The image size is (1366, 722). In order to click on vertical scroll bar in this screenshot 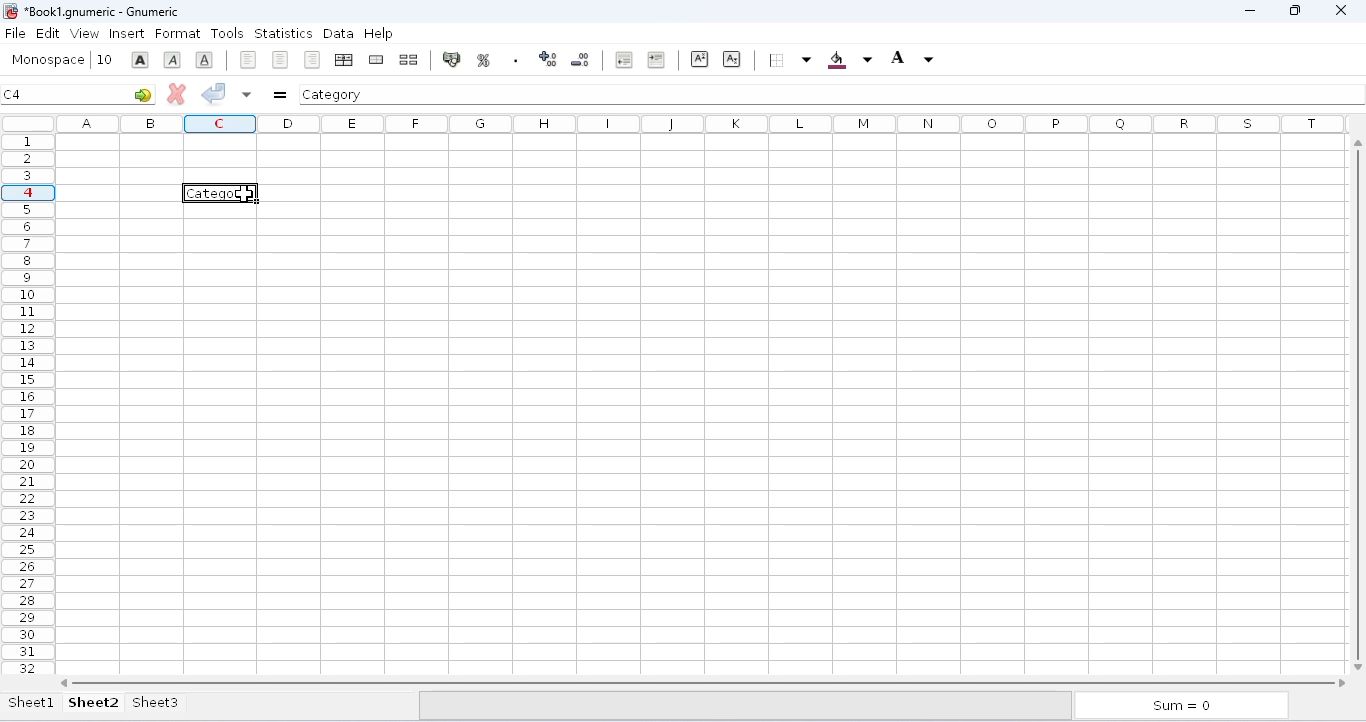, I will do `click(1361, 402)`.